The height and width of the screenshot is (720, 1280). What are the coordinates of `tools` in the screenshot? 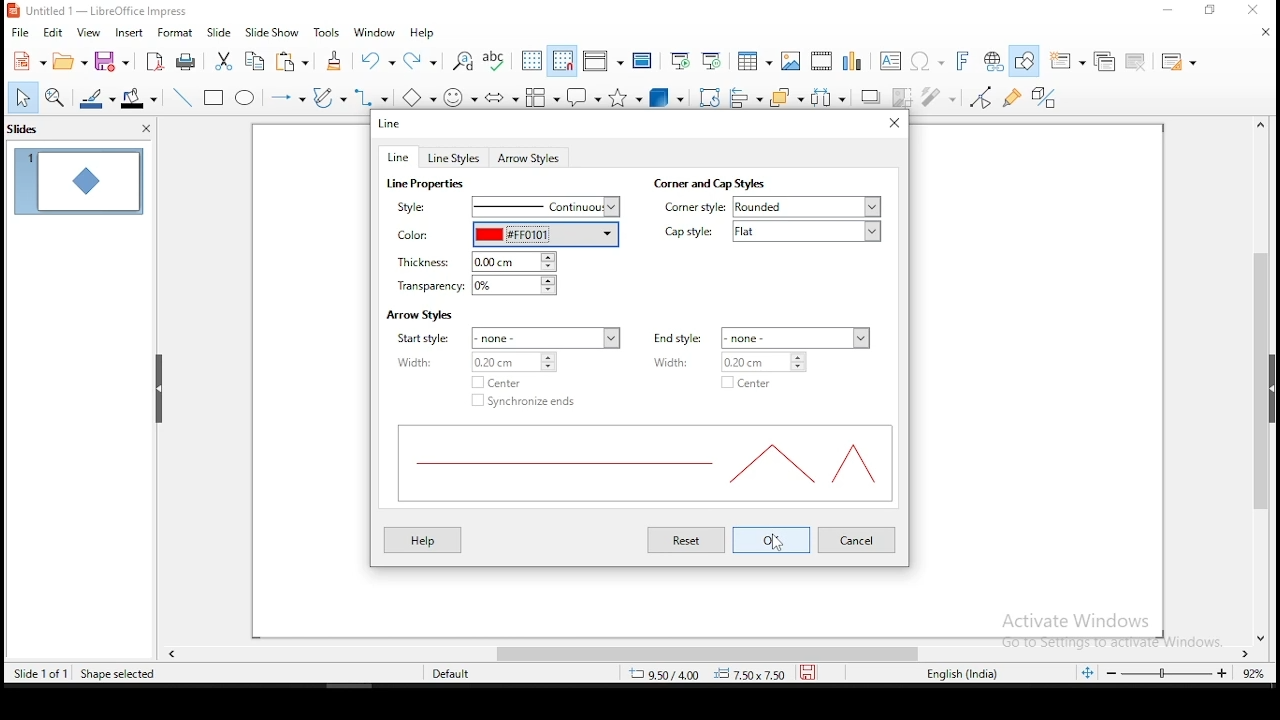 It's located at (328, 32).